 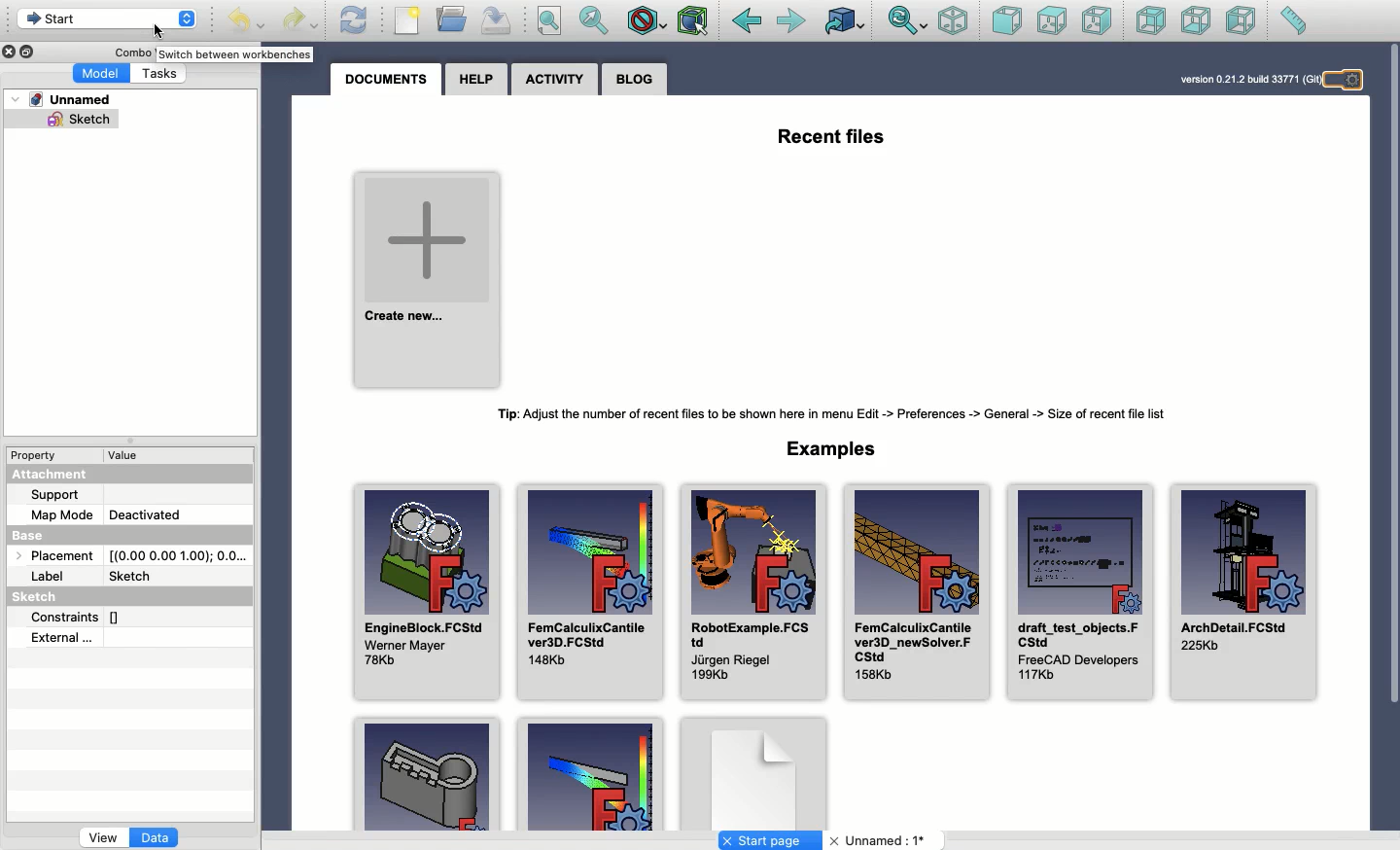 What do you see at coordinates (589, 773) in the screenshot?
I see `Examples` at bounding box center [589, 773].